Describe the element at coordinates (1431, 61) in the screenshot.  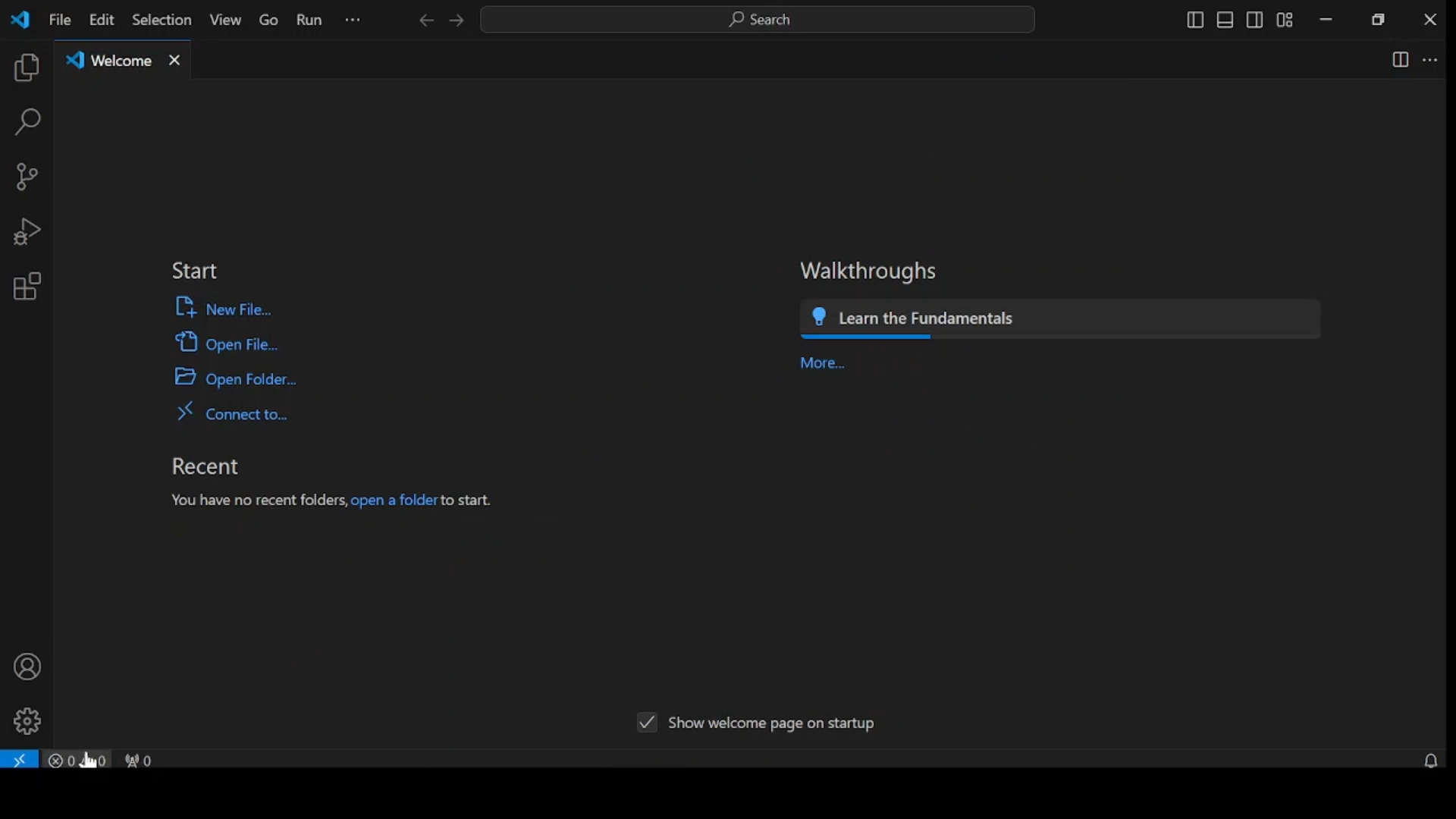
I see `more actions` at that location.